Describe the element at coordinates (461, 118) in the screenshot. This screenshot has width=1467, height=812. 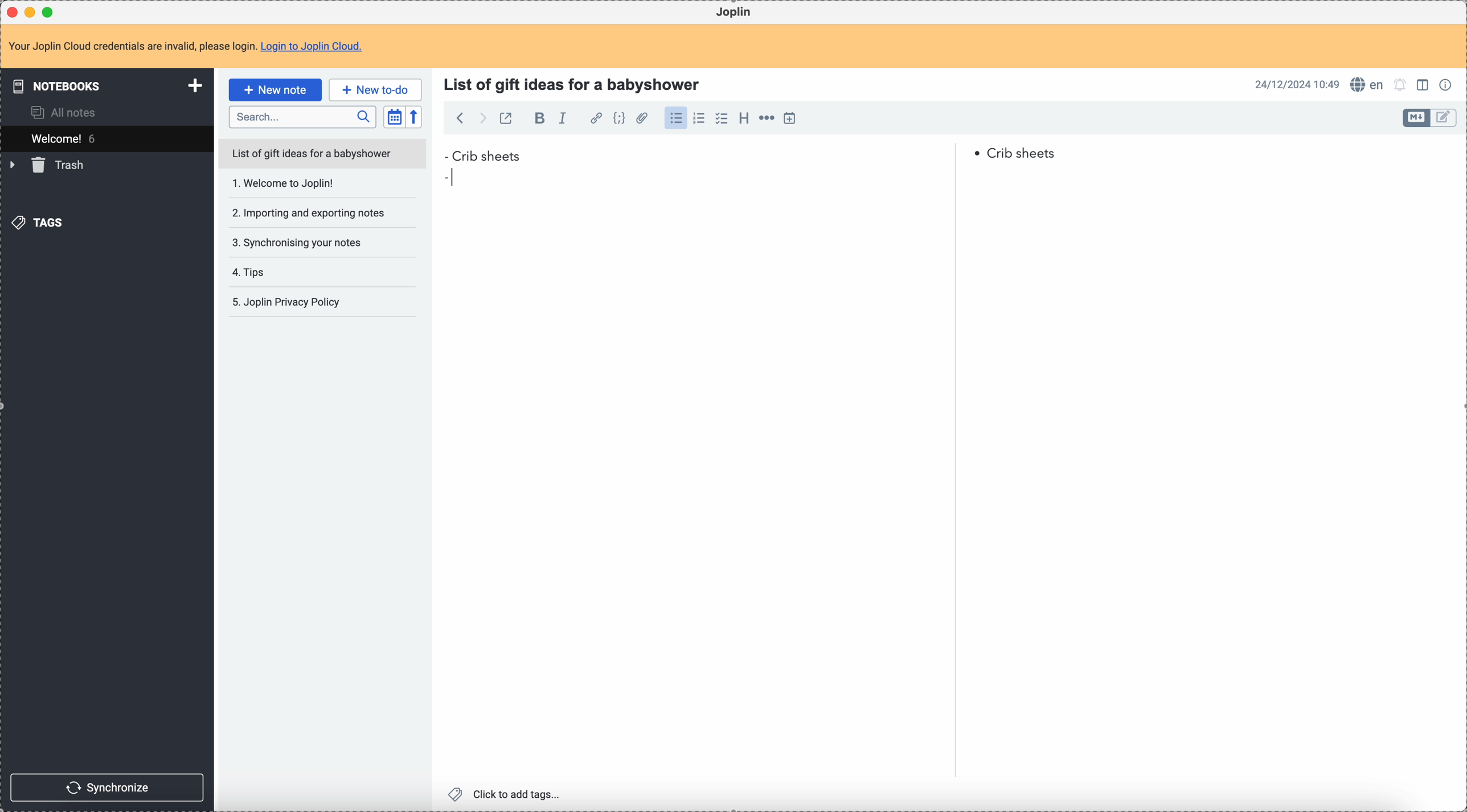
I see `back` at that location.